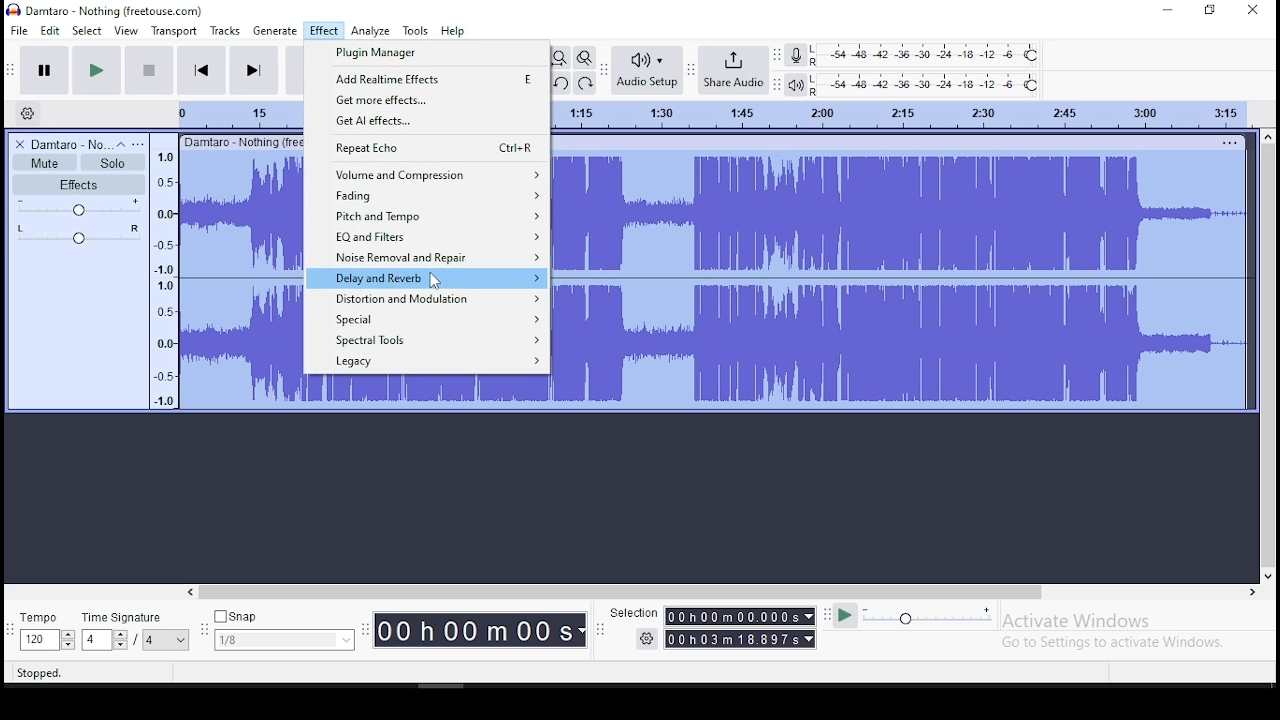 The image size is (1280, 720). I want to click on , so click(363, 632).